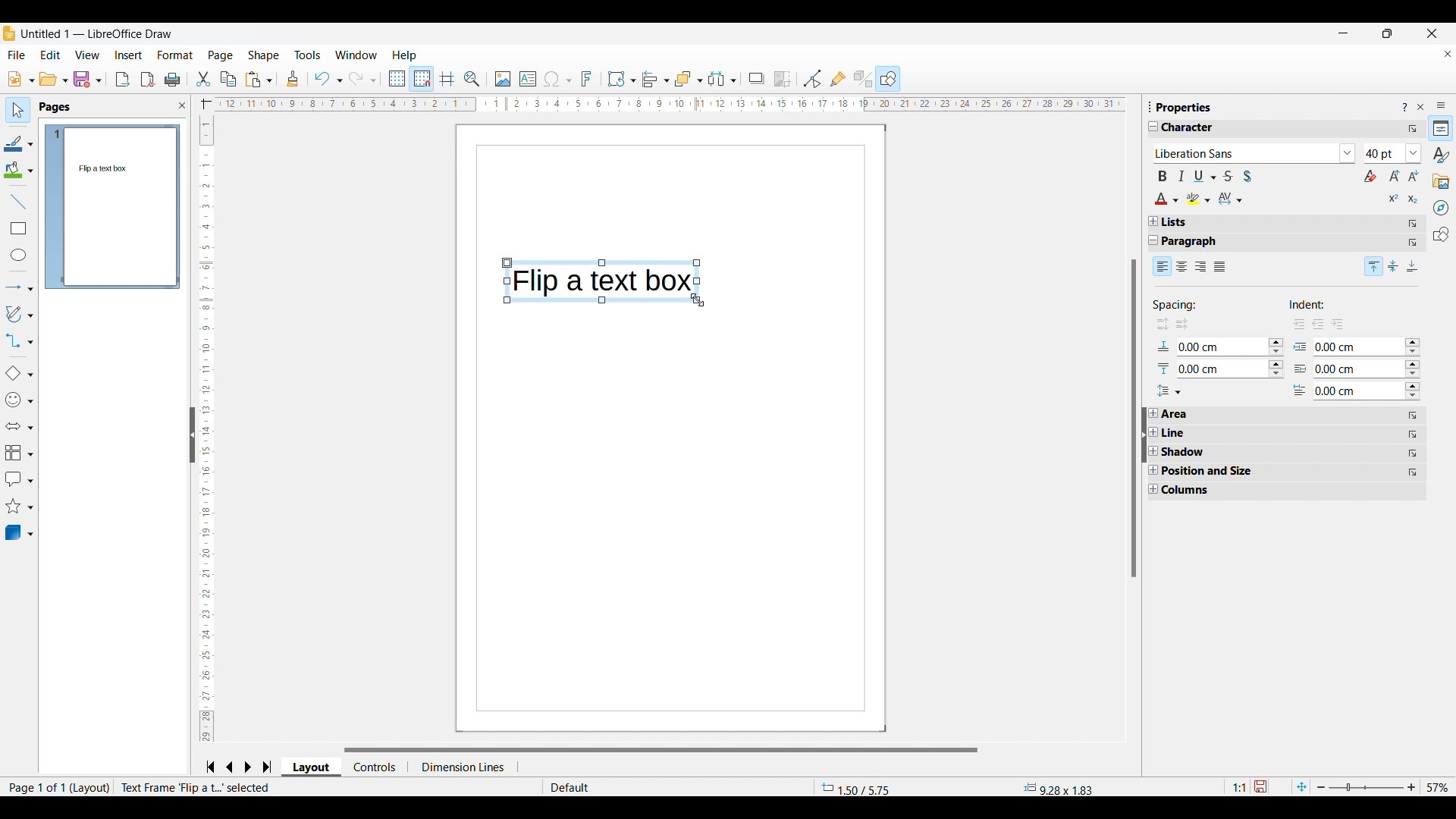 The width and height of the screenshot is (1456, 819). What do you see at coordinates (783, 80) in the screenshot?
I see `Crop image` at bounding box center [783, 80].